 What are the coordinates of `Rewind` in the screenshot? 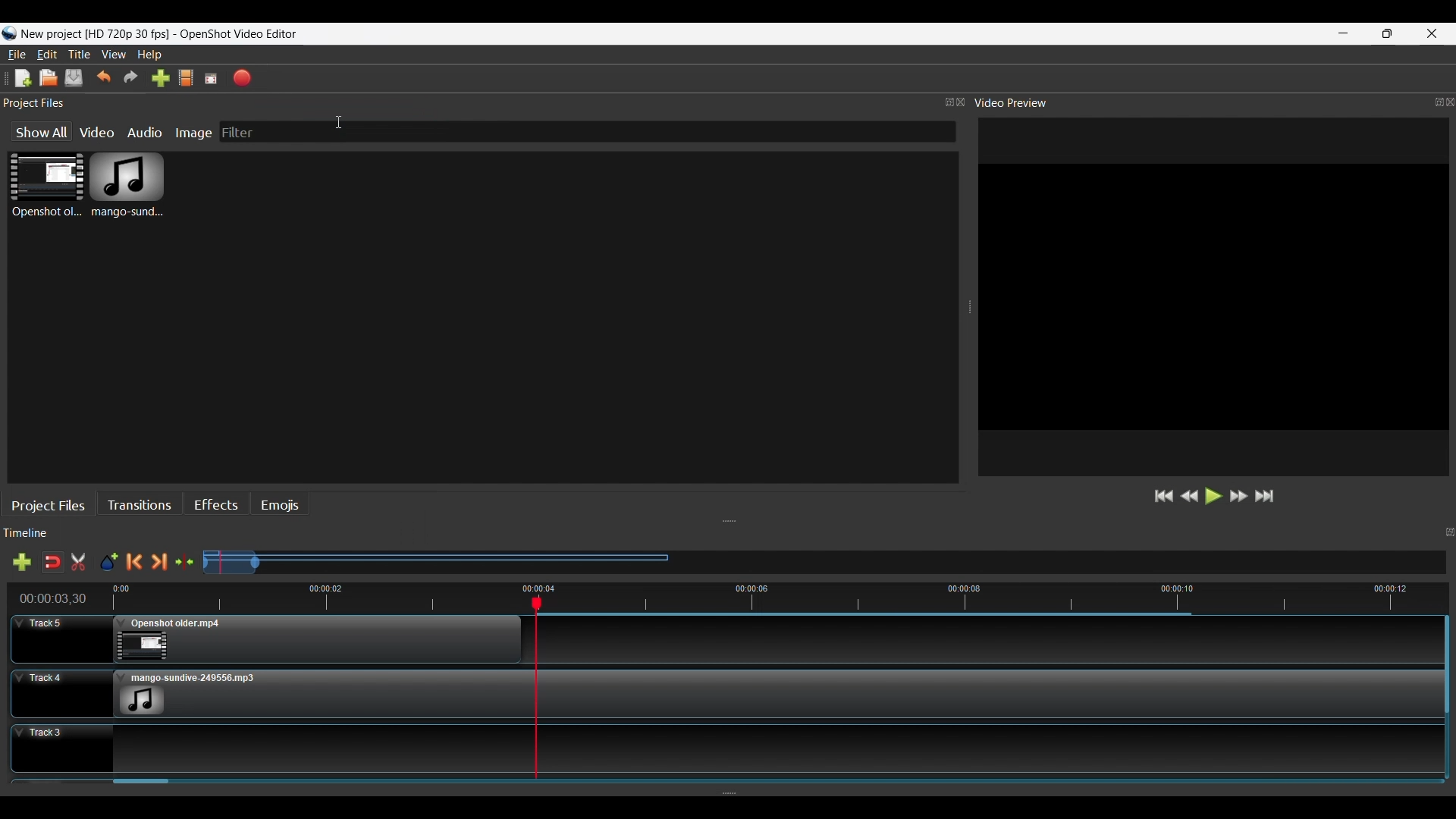 It's located at (1189, 496).